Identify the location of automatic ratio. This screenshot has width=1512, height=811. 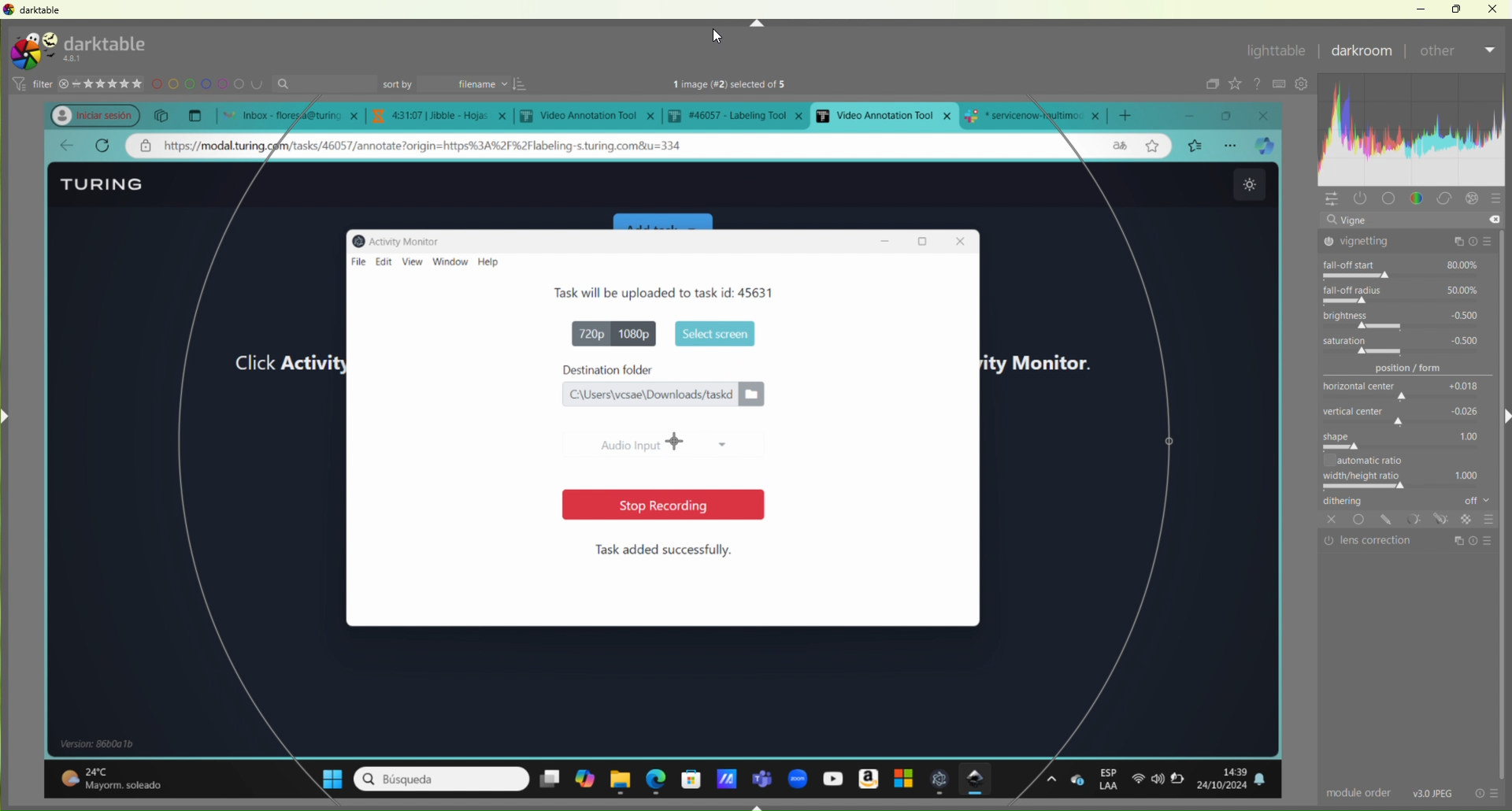
(1394, 460).